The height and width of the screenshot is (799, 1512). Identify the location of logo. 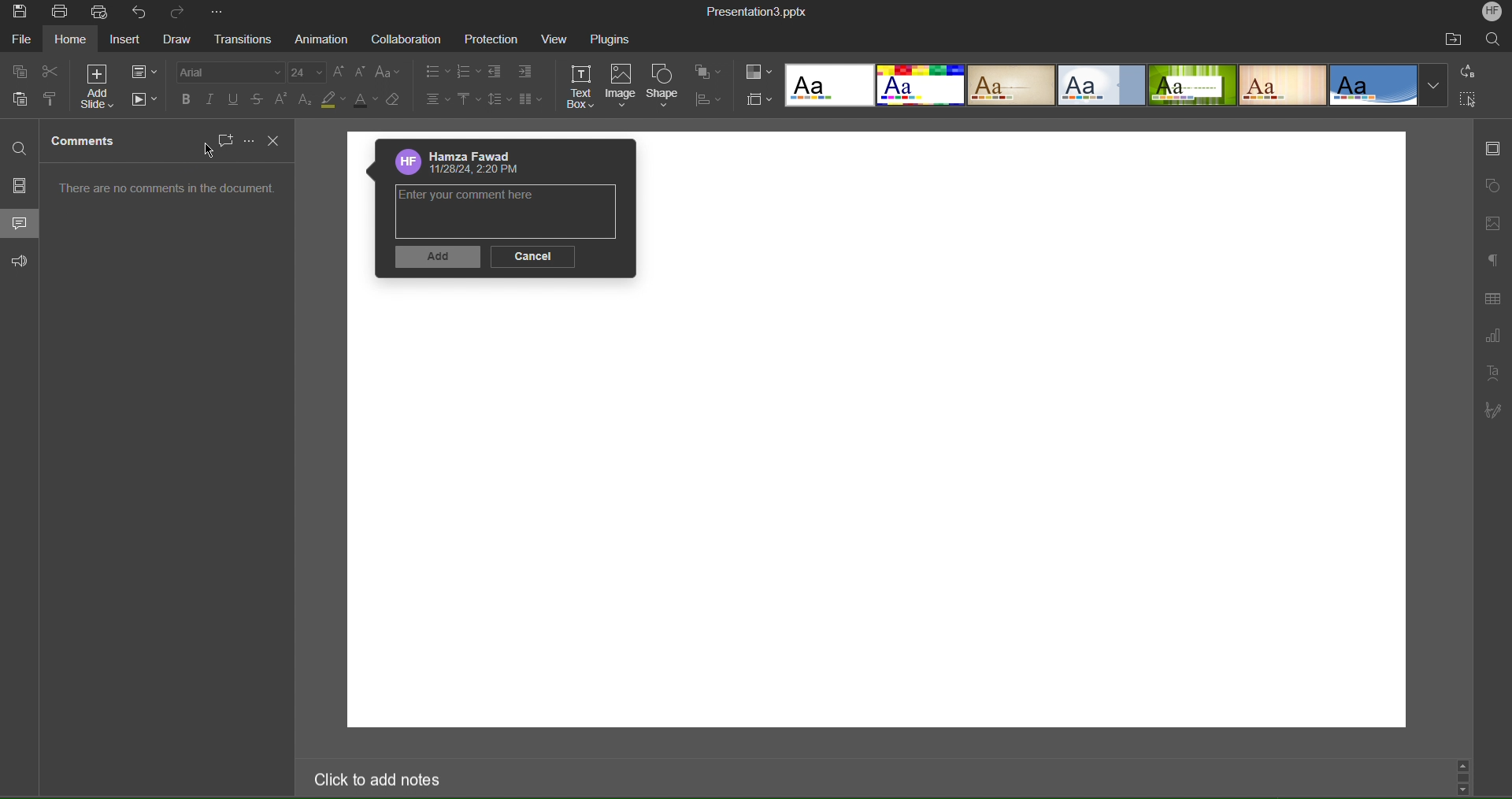
(406, 162).